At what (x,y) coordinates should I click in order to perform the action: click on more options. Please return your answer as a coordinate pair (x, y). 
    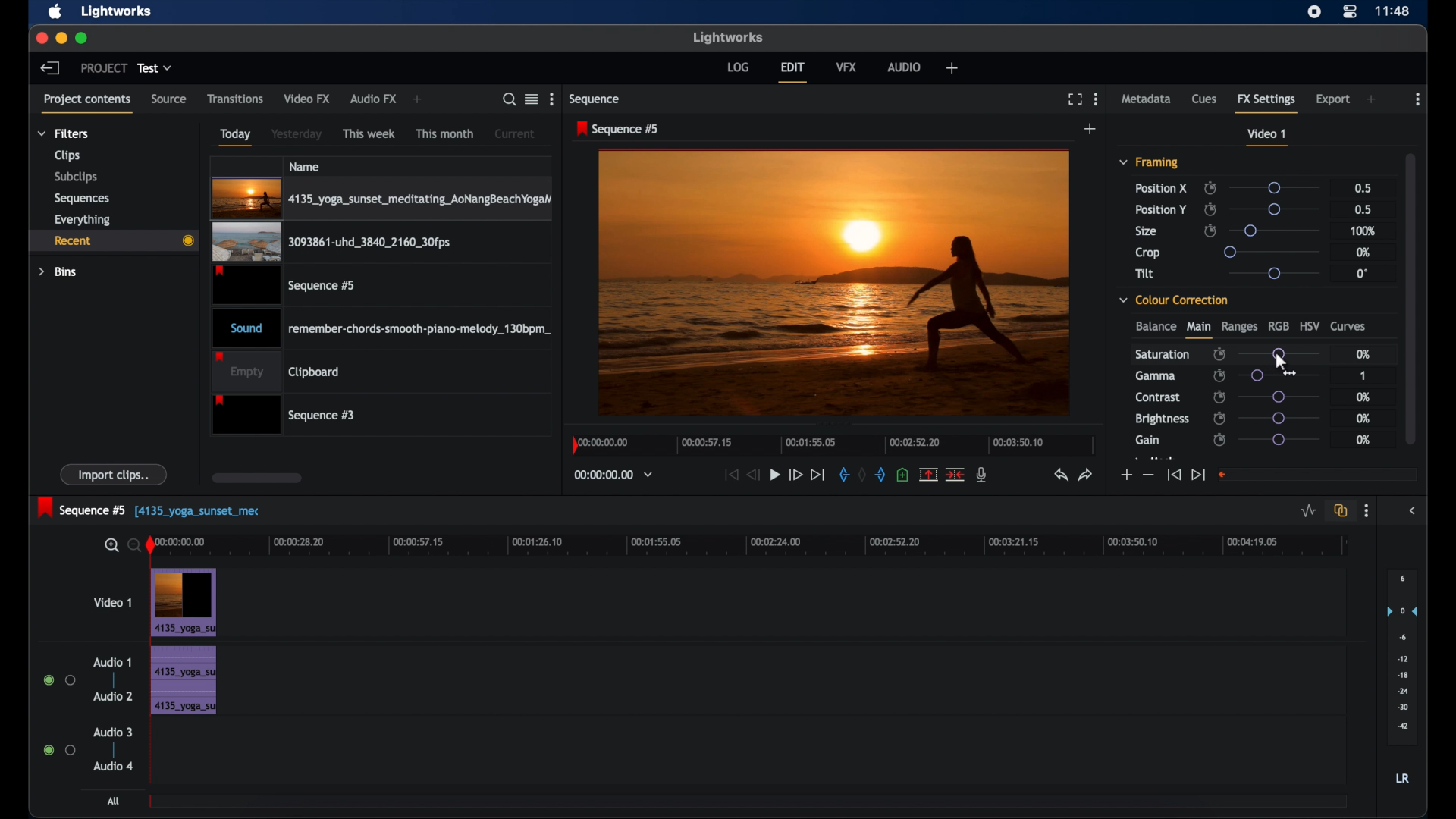
    Looking at the image, I should click on (1367, 511).